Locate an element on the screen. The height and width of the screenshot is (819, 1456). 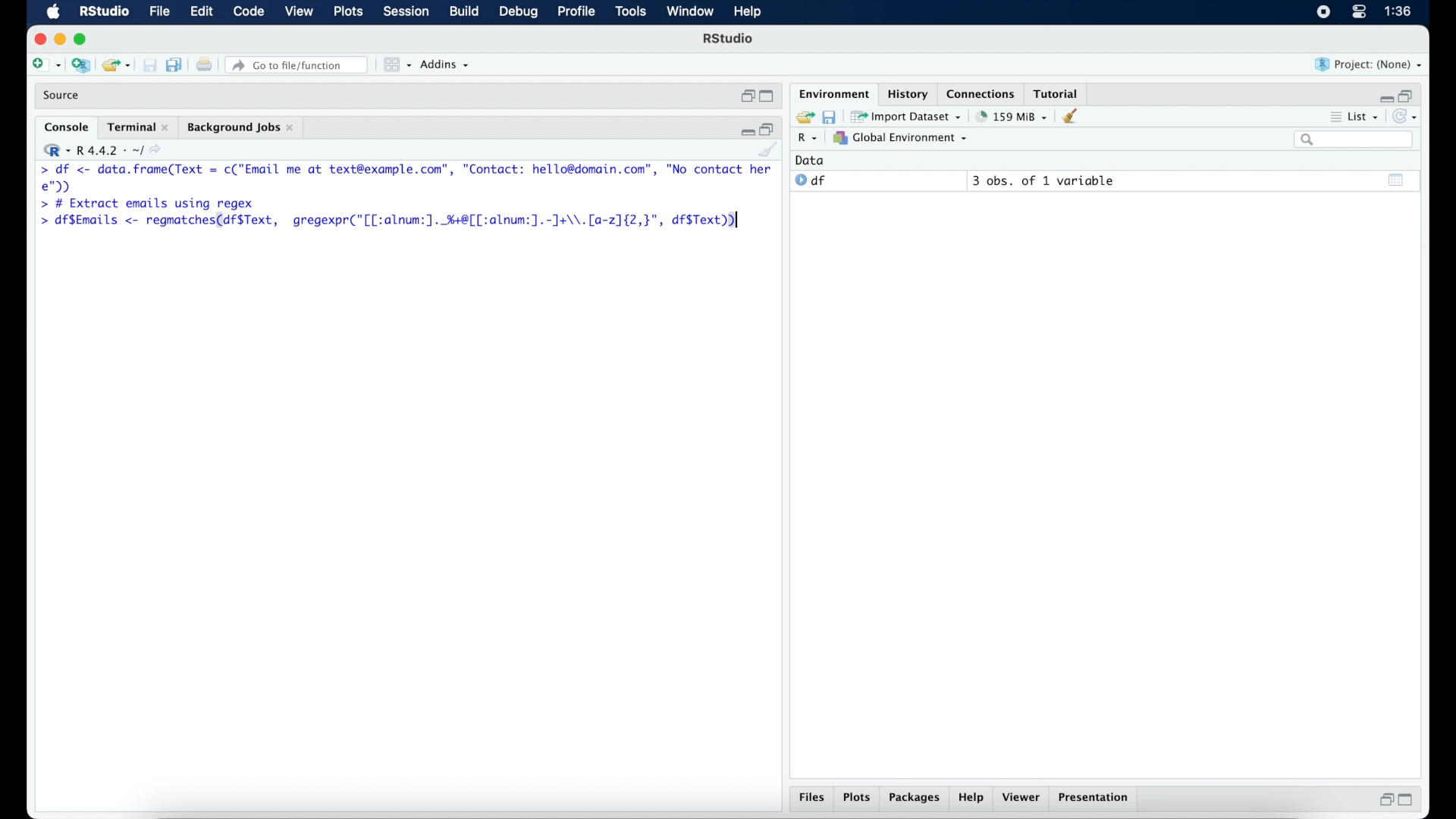
background jobs is located at coordinates (243, 128).